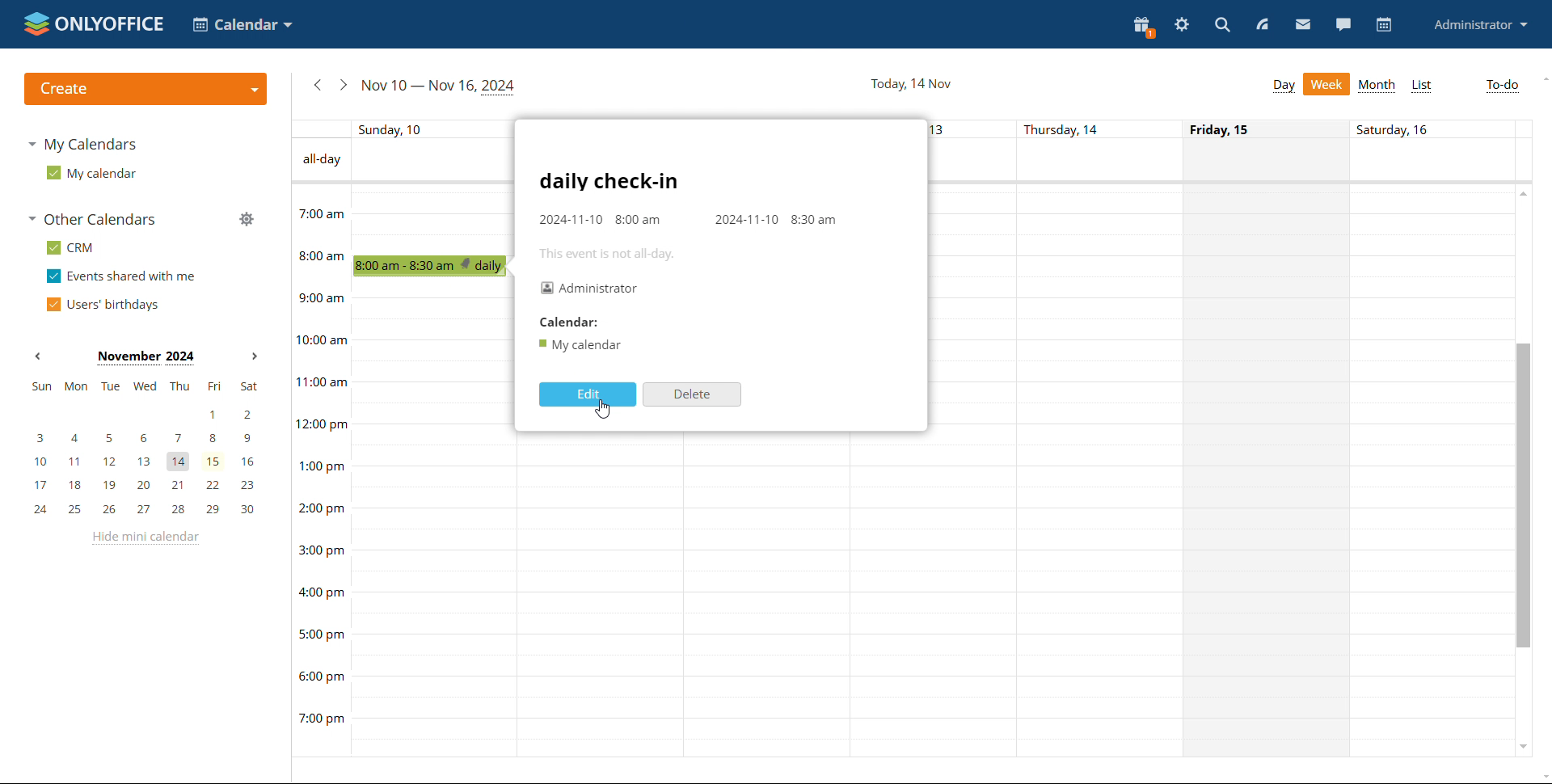 This screenshot has width=1552, height=784. What do you see at coordinates (1542, 78) in the screenshot?
I see `scroll up` at bounding box center [1542, 78].